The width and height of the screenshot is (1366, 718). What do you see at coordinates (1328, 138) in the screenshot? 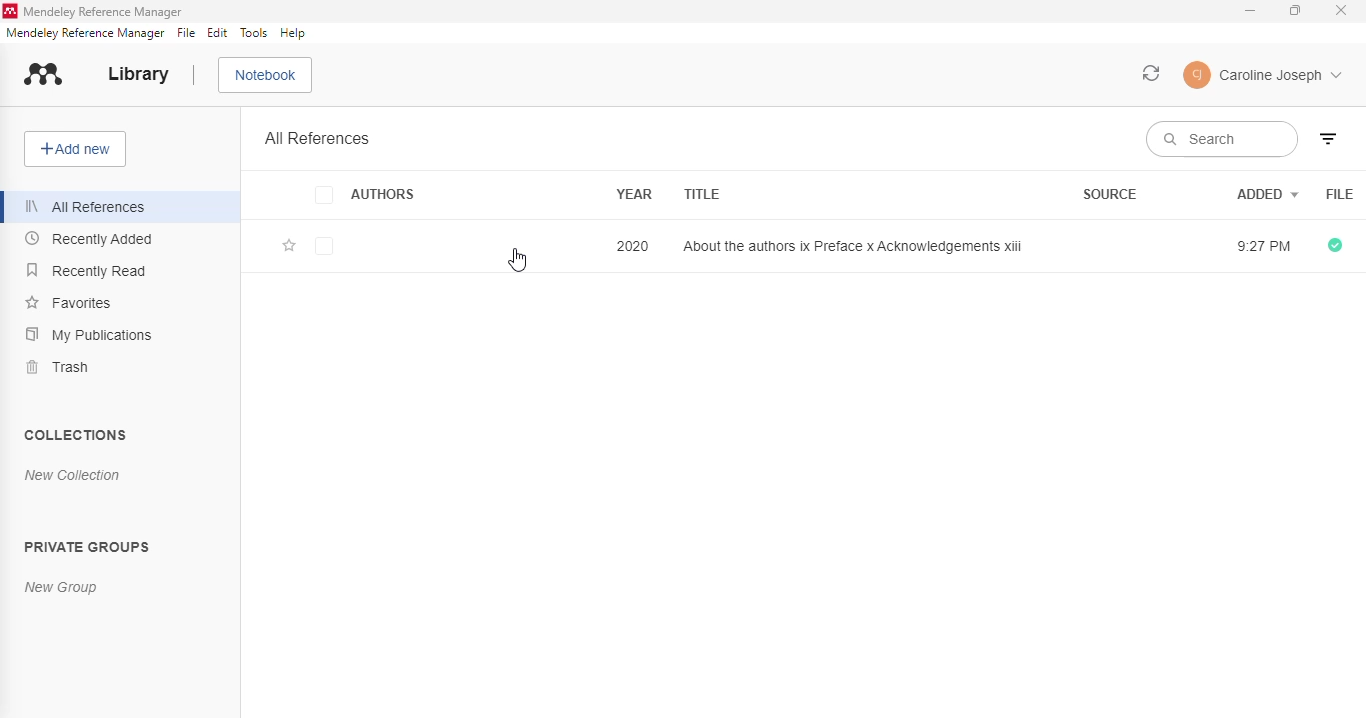
I see `filter by` at bounding box center [1328, 138].